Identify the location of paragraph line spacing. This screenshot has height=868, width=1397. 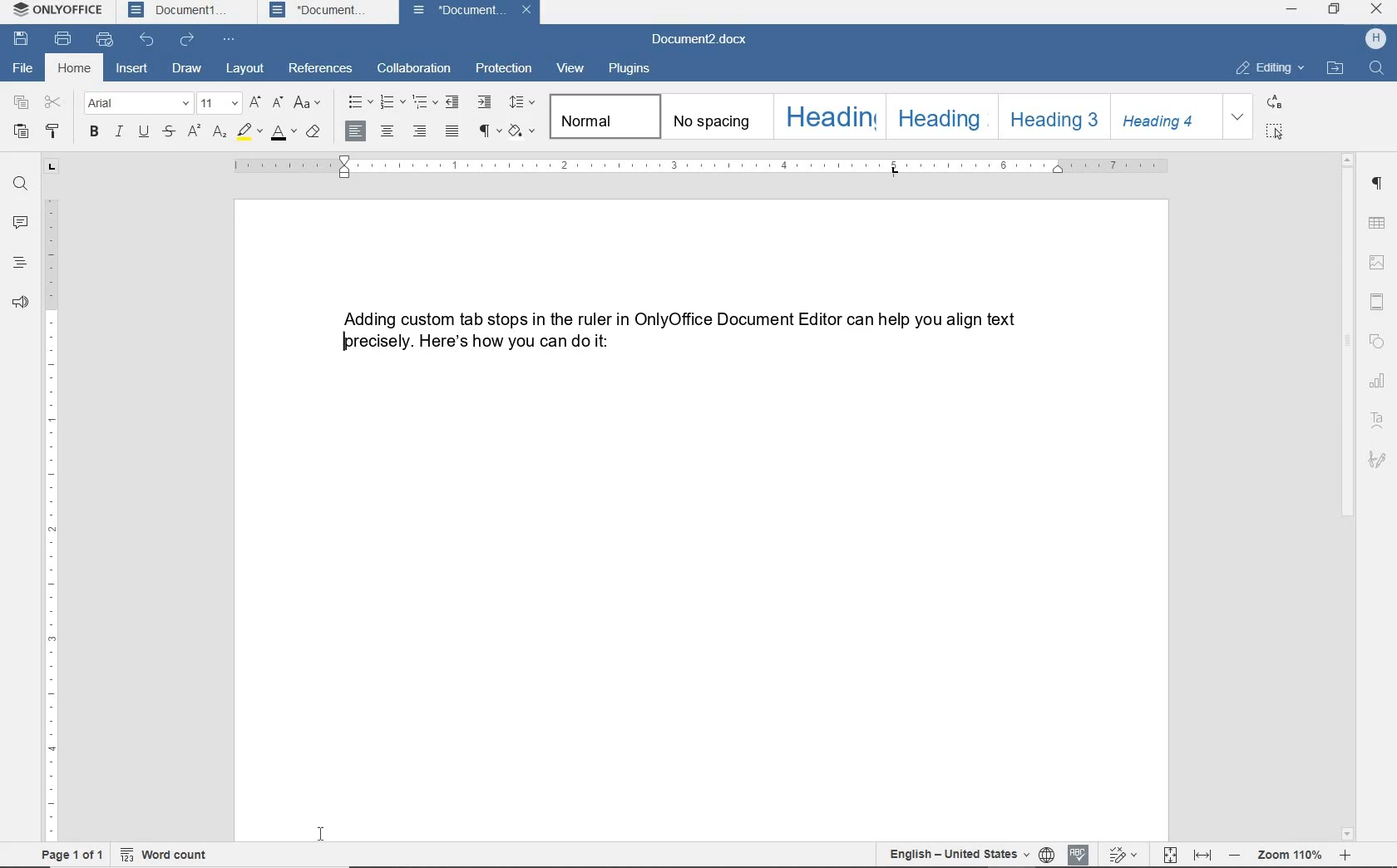
(522, 101).